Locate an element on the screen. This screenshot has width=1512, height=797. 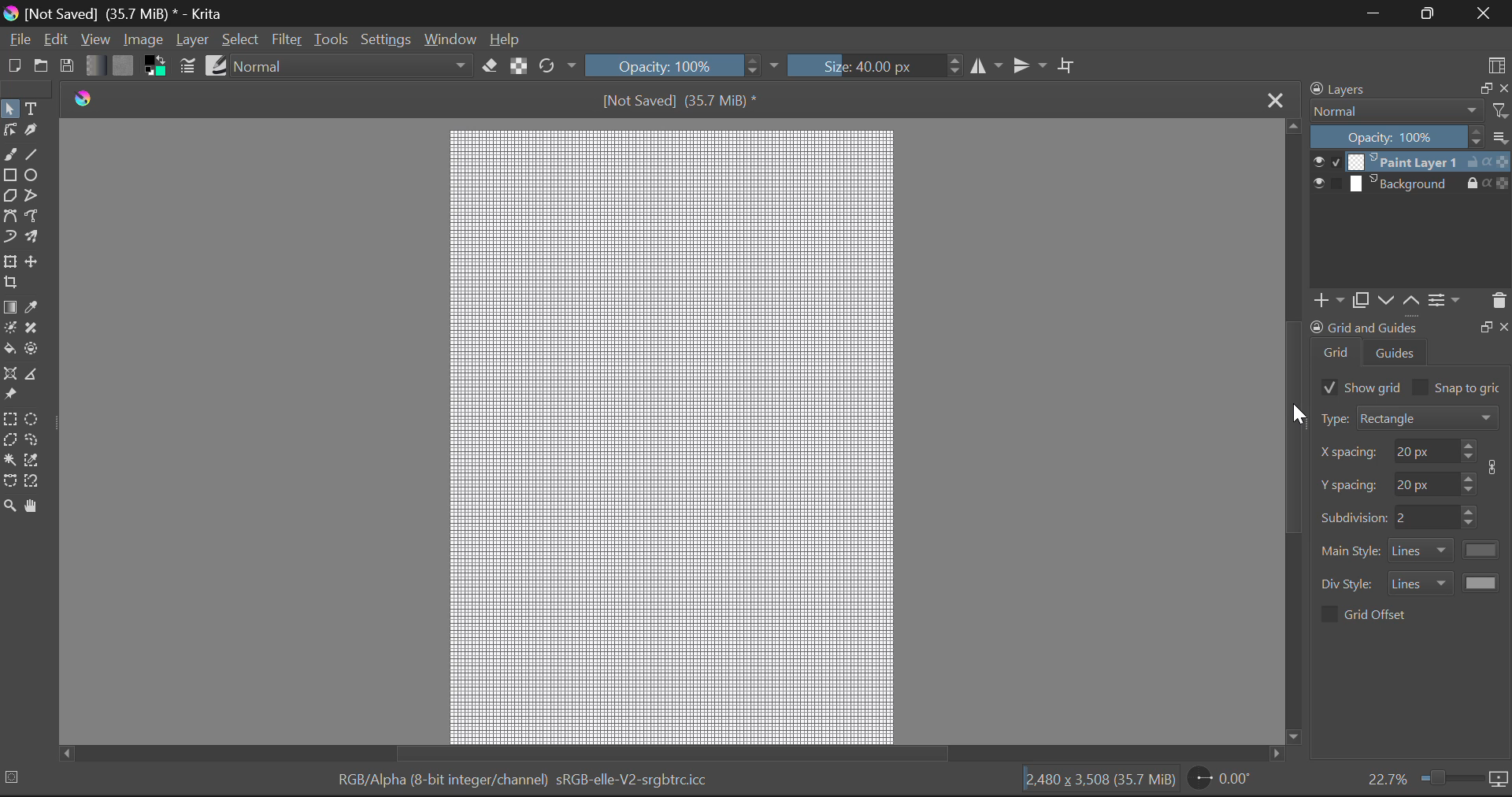
Dynamic Brush Tool is located at coordinates (9, 241).